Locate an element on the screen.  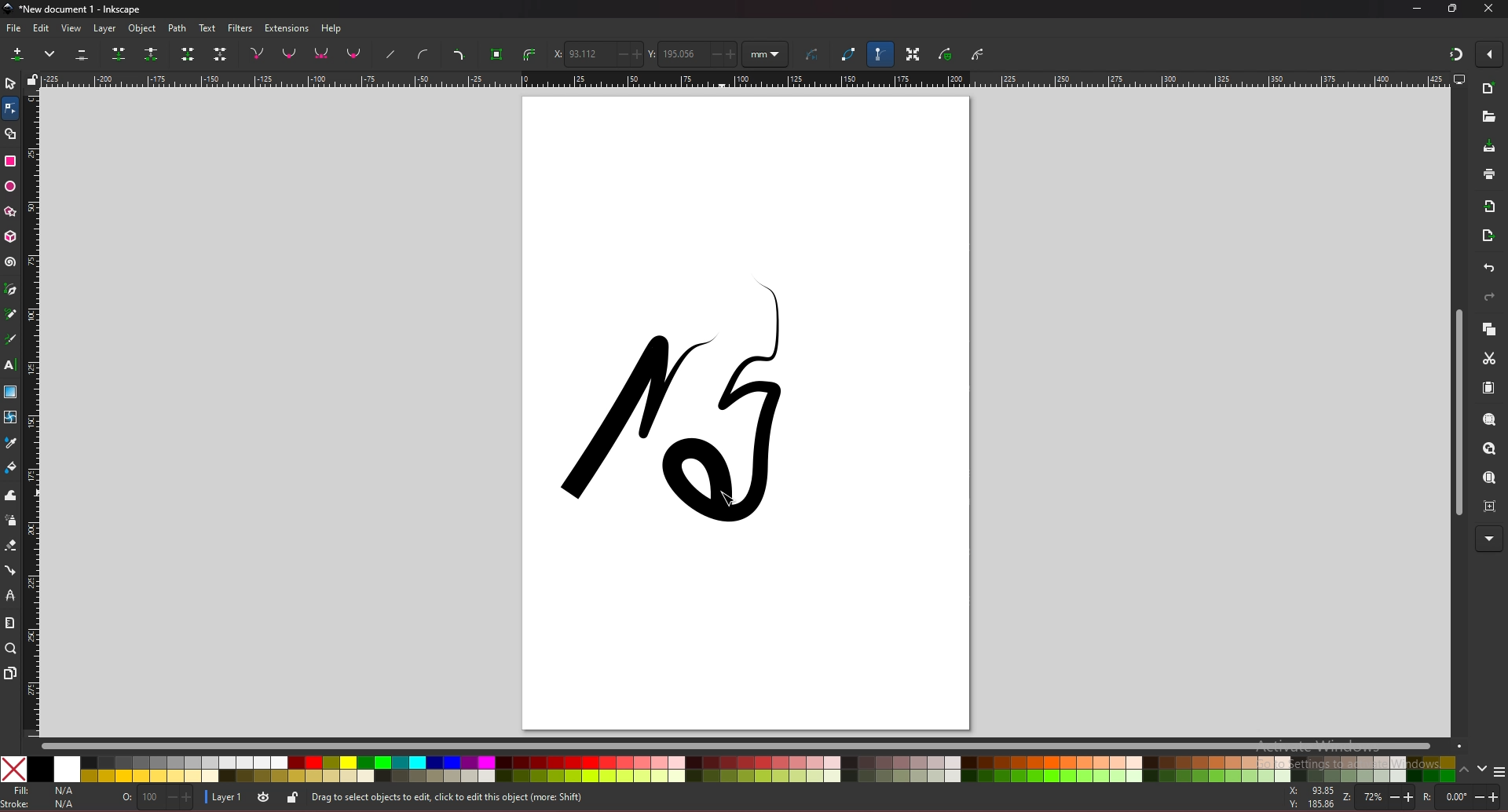
extensions is located at coordinates (287, 28).